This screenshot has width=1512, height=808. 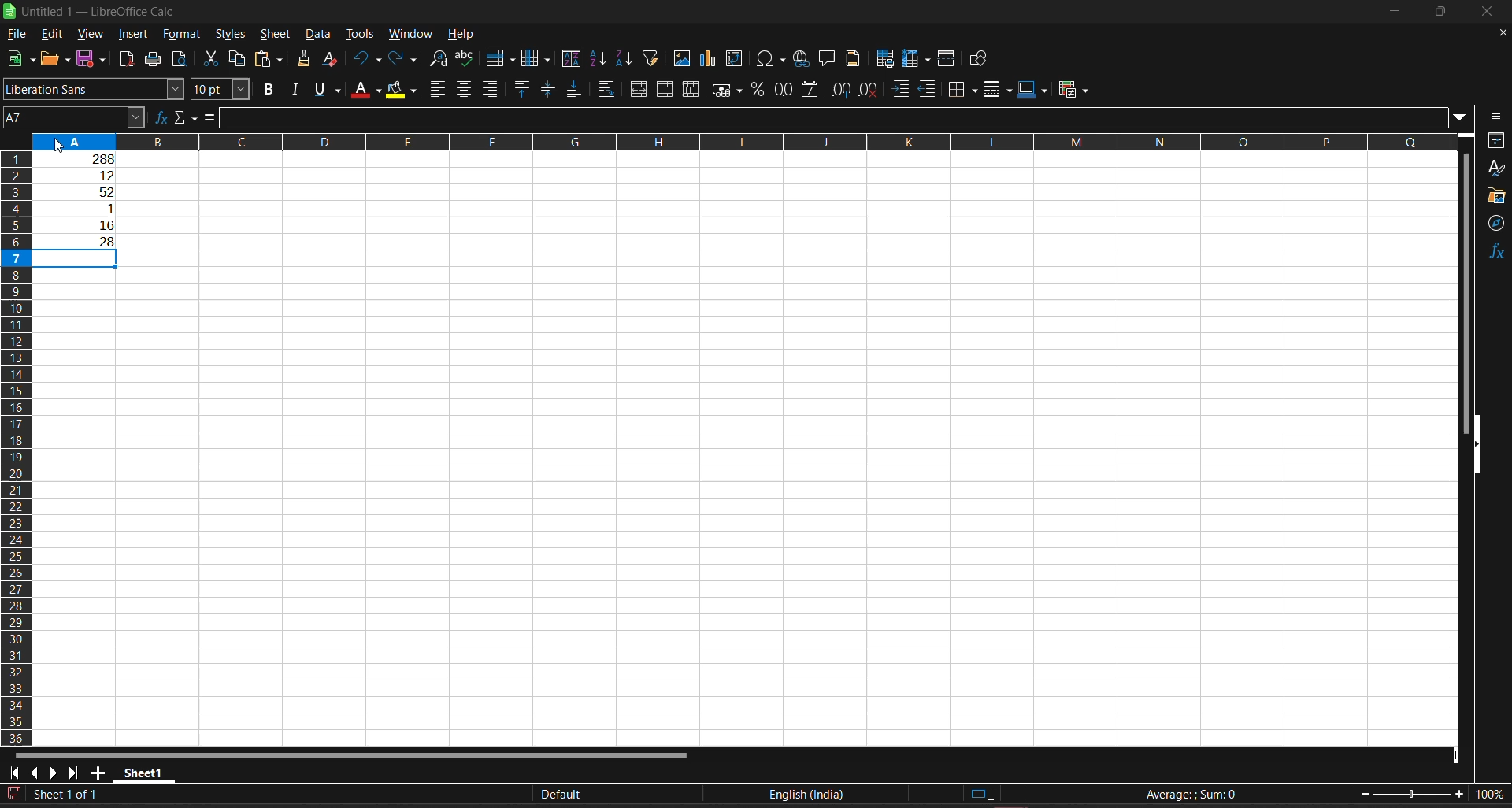 I want to click on zoom factor, so click(x=1493, y=797).